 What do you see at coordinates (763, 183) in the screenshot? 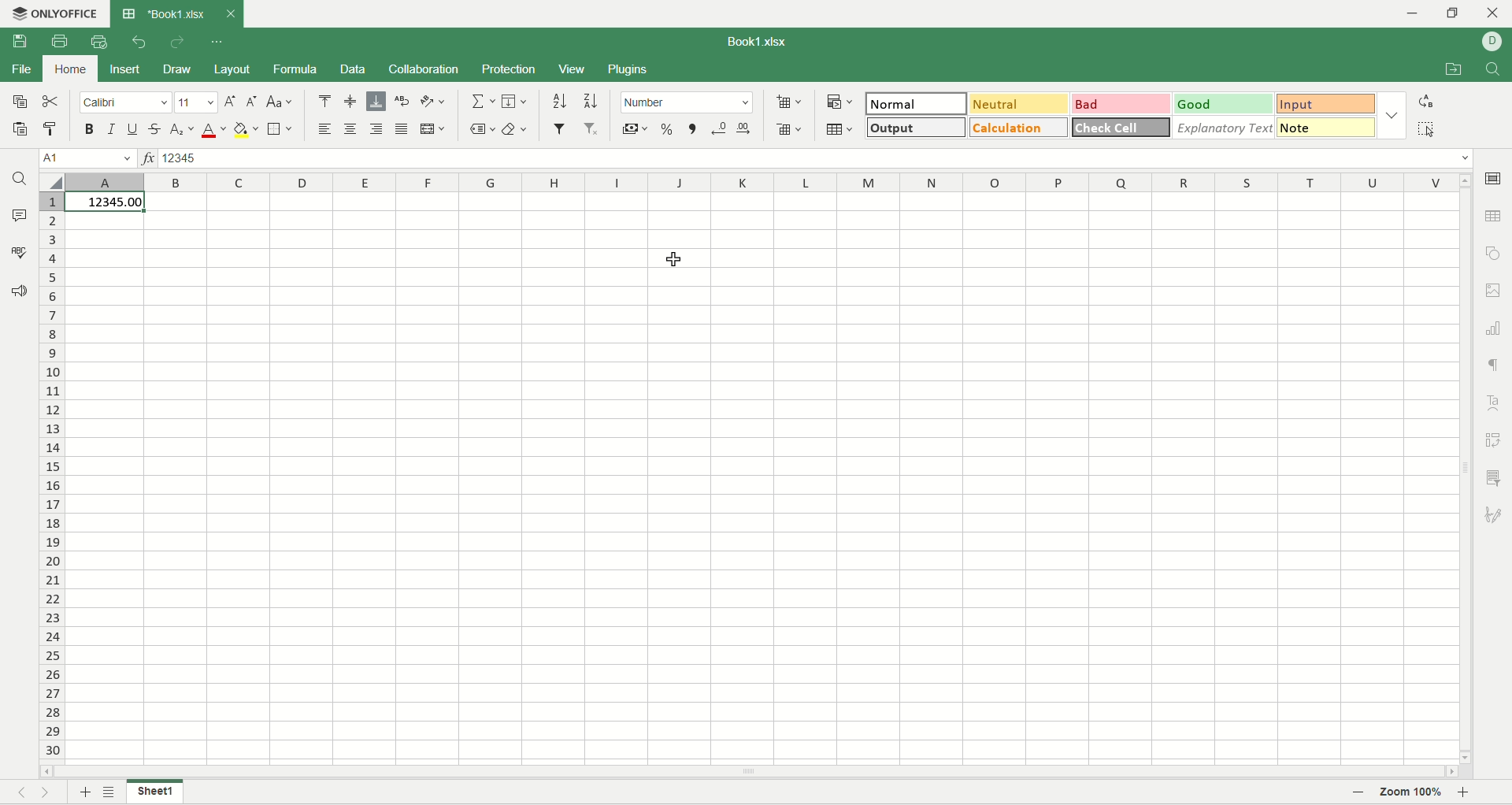
I see `column name` at bounding box center [763, 183].